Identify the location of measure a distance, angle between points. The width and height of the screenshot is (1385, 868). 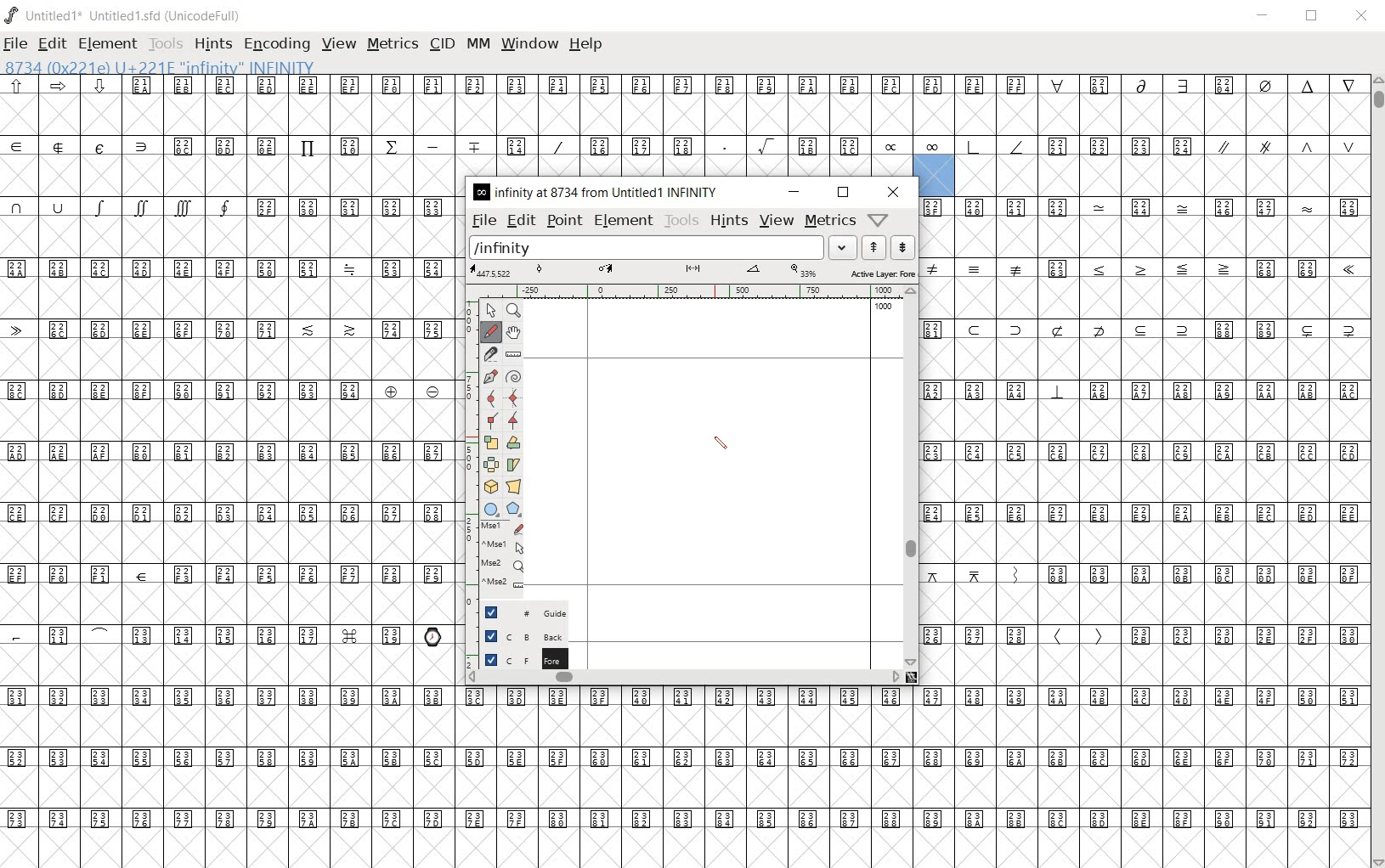
(512, 353).